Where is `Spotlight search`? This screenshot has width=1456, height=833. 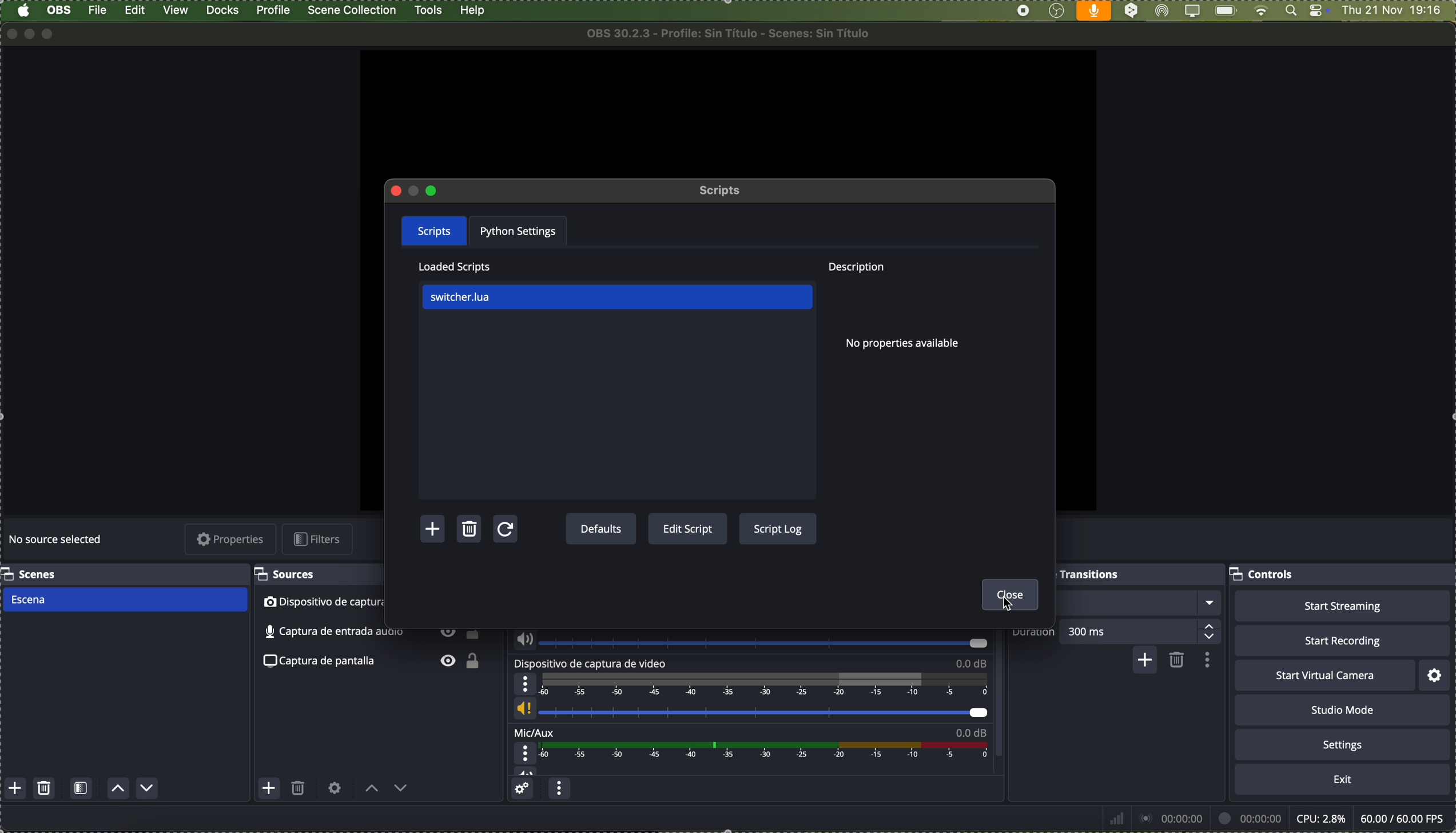
Spotlight search is located at coordinates (1289, 11).